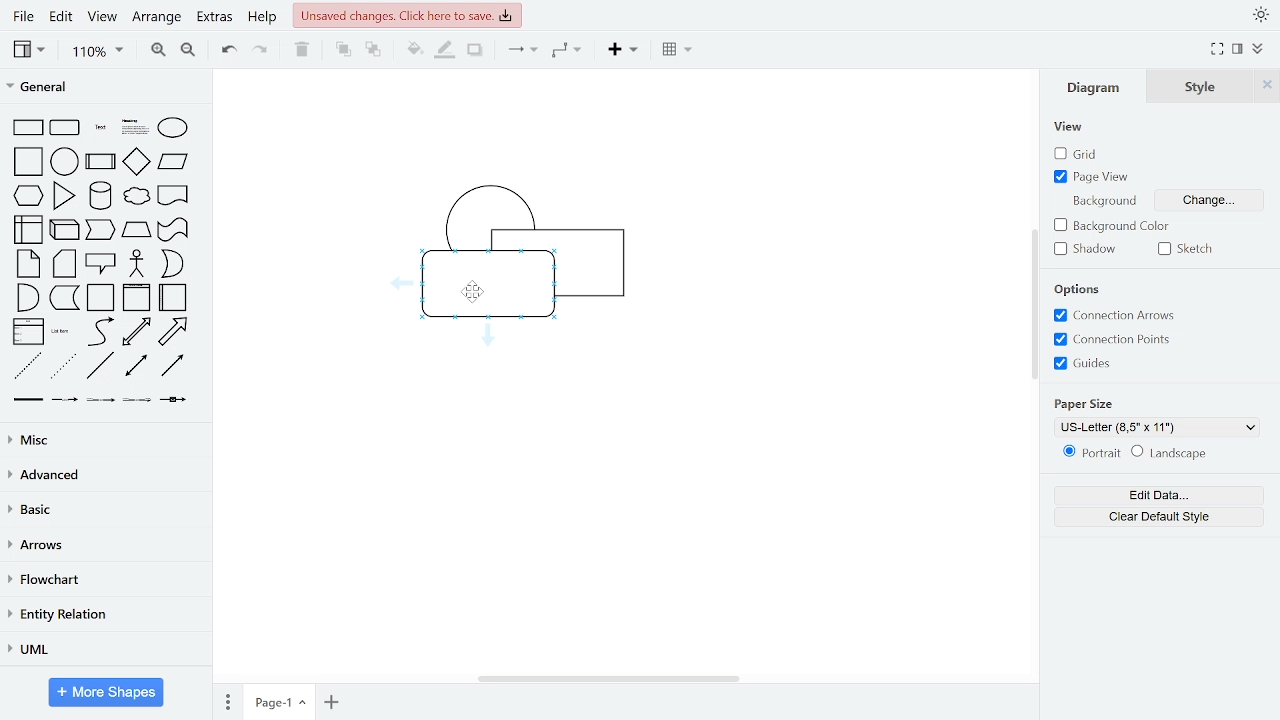 The height and width of the screenshot is (720, 1280). What do you see at coordinates (519, 259) in the screenshot?
I see `diagram` at bounding box center [519, 259].